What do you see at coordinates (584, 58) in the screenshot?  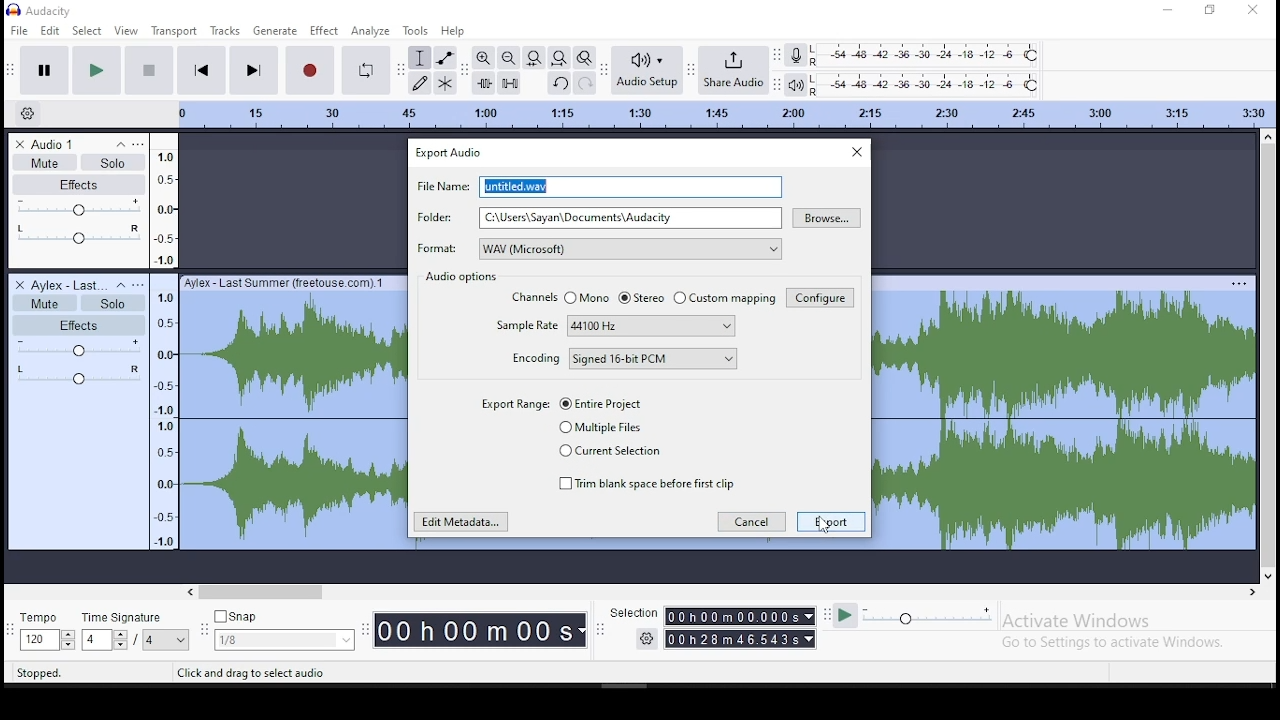 I see `zoom toggle` at bounding box center [584, 58].